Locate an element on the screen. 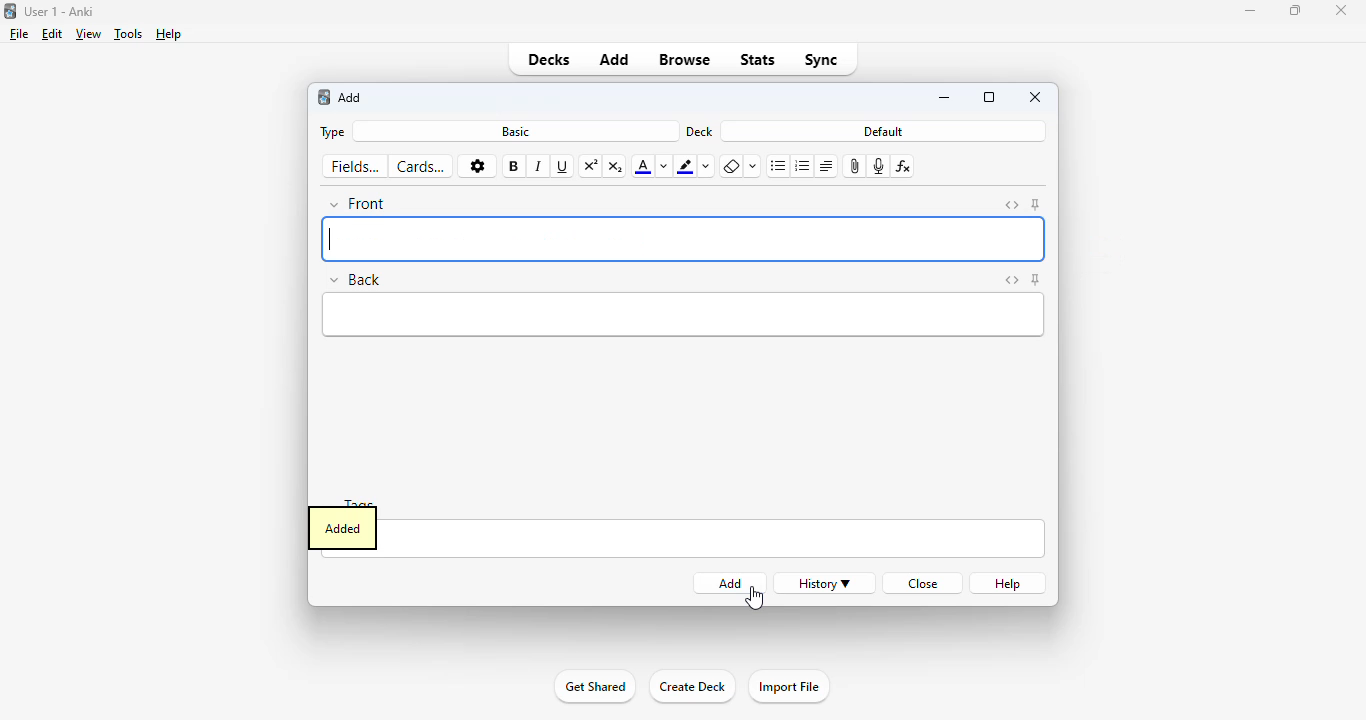 The image size is (1366, 720). equations is located at coordinates (903, 167).